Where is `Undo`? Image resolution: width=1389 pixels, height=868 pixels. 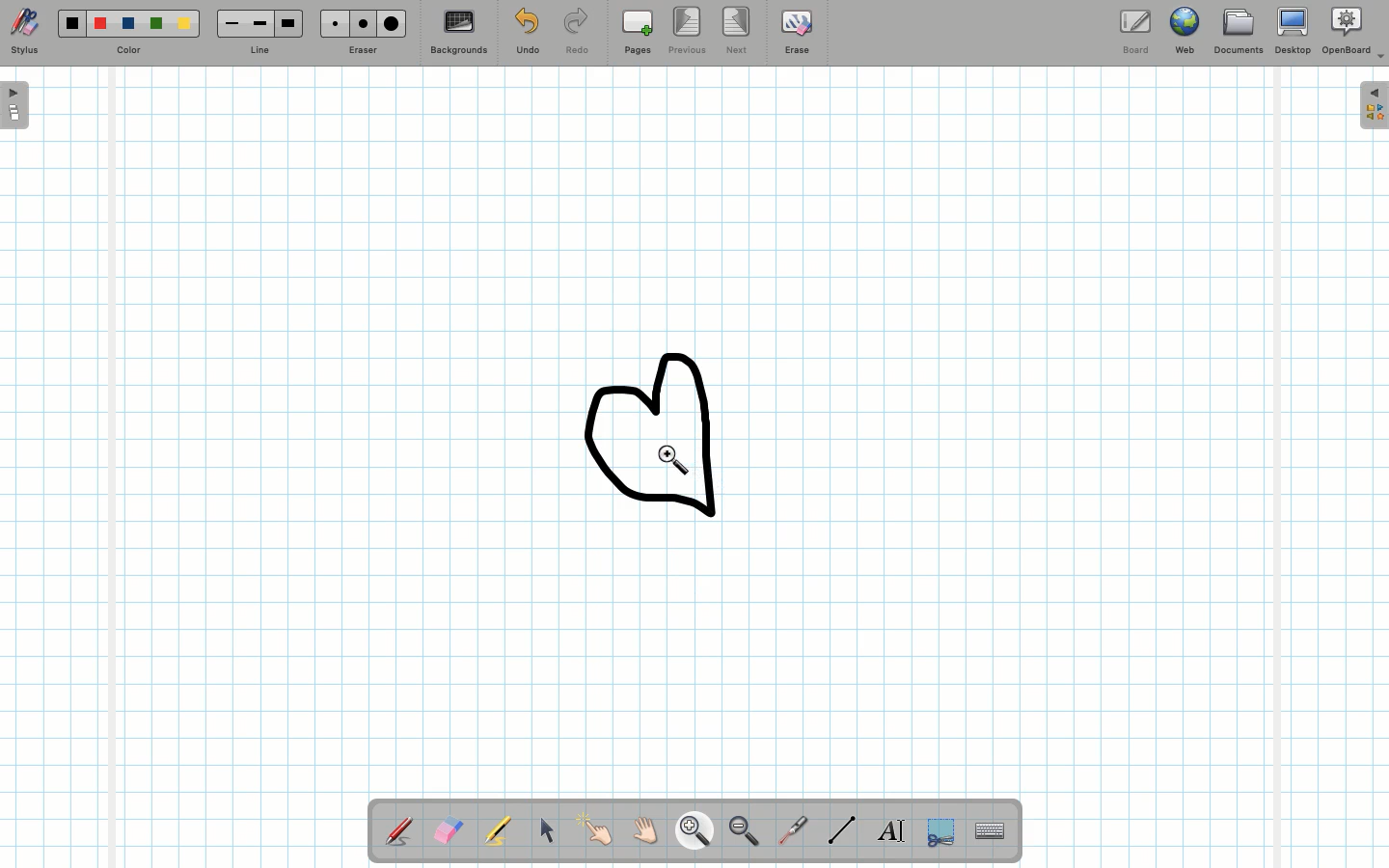 Undo is located at coordinates (528, 33).